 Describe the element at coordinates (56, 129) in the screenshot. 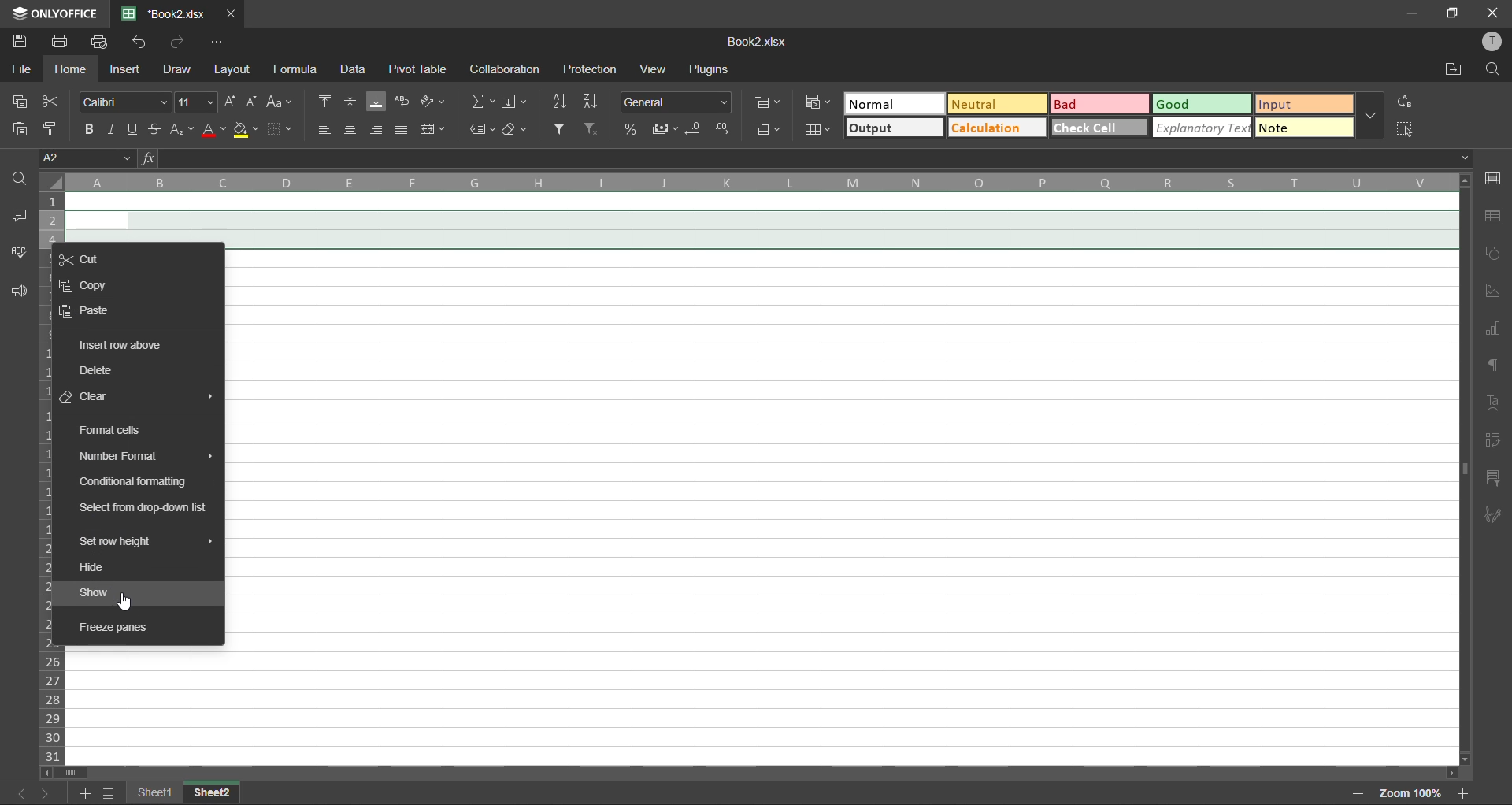

I see `copy style` at that location.